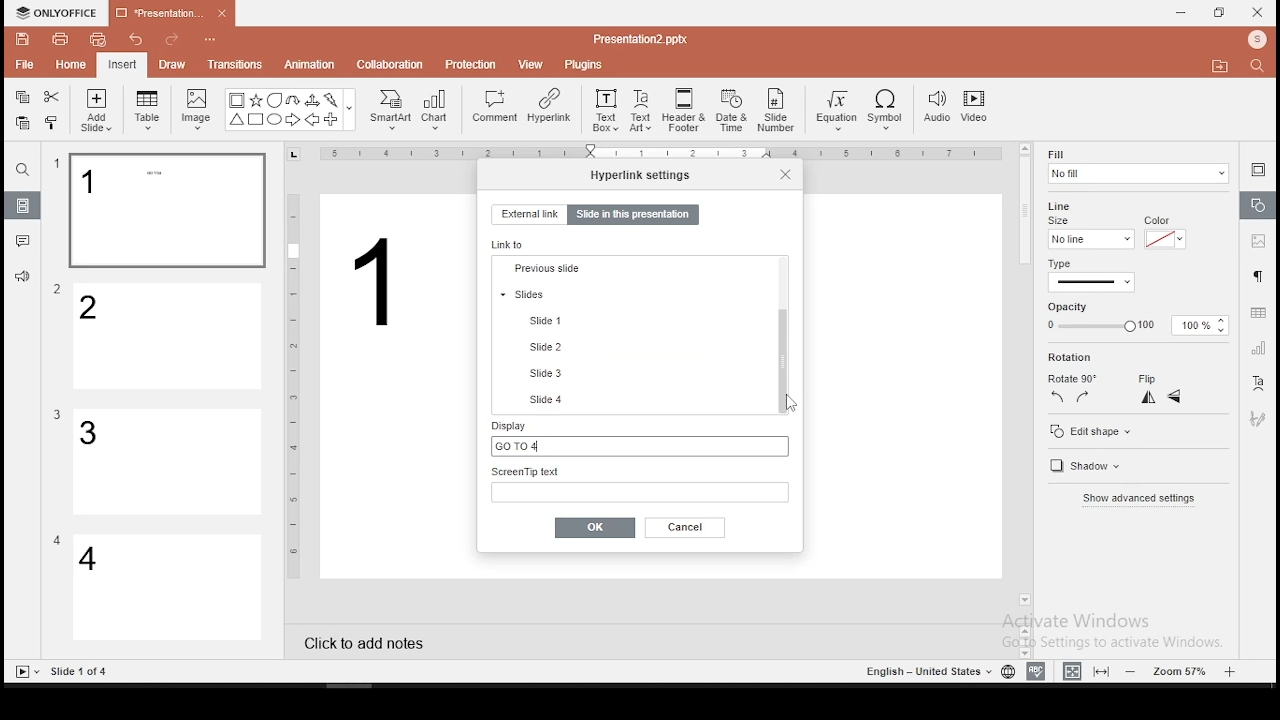  What do you see at coordinates (57, 540) in the screenshot?
I see `` at bounding box center [57, 540].